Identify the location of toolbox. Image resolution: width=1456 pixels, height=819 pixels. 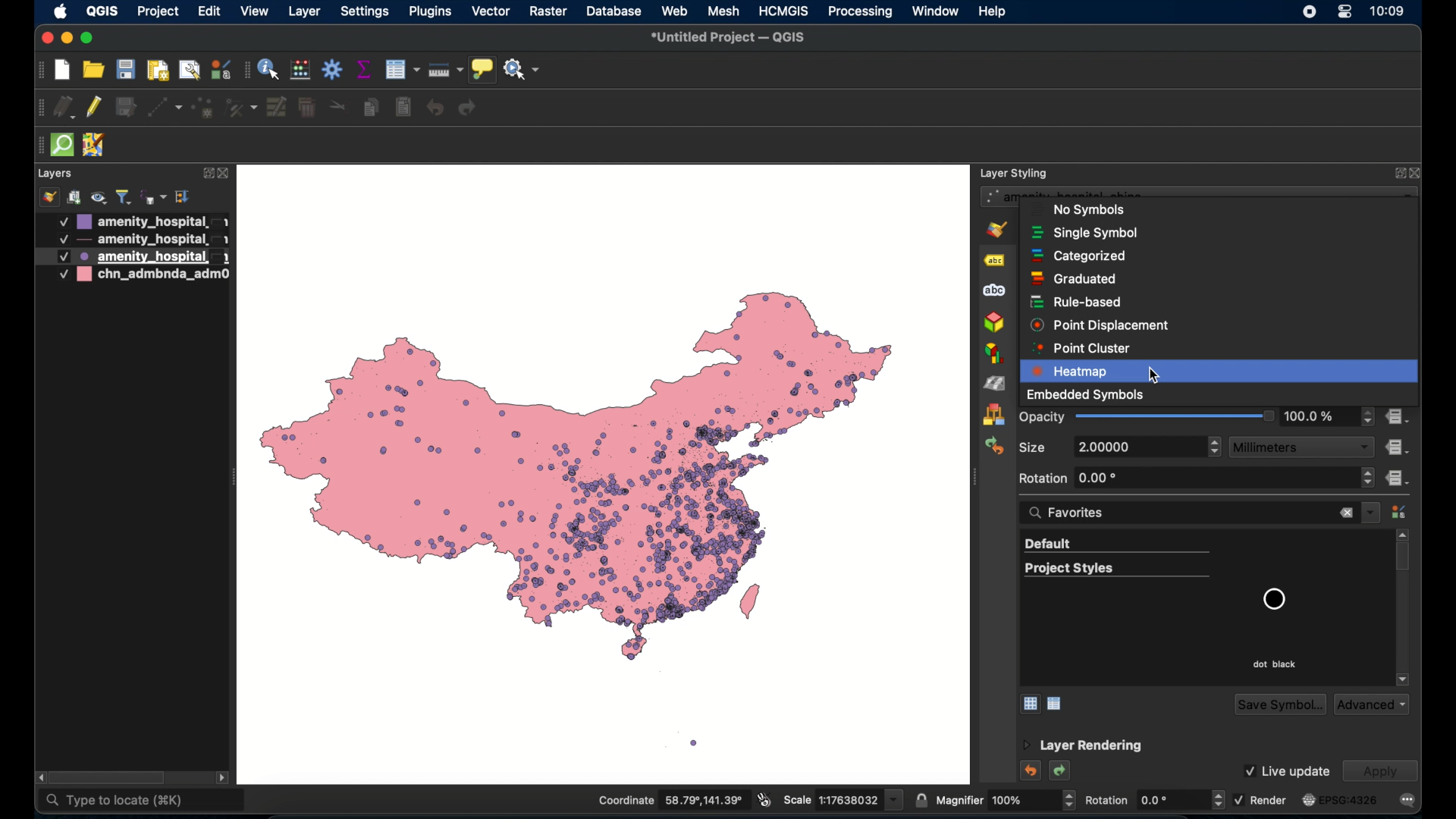
(333, 69).